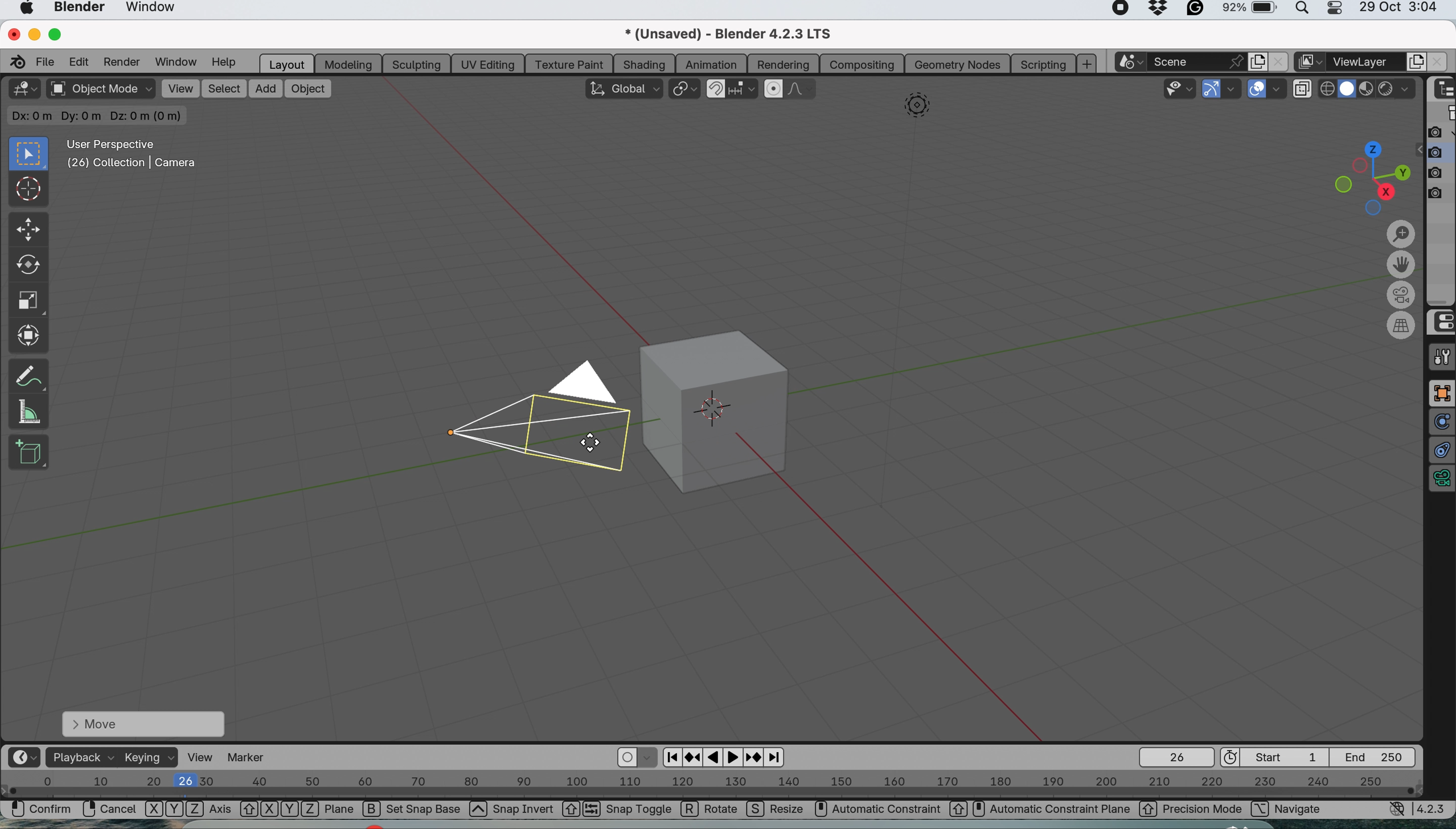  I want to click on cube, so click(726, 409).